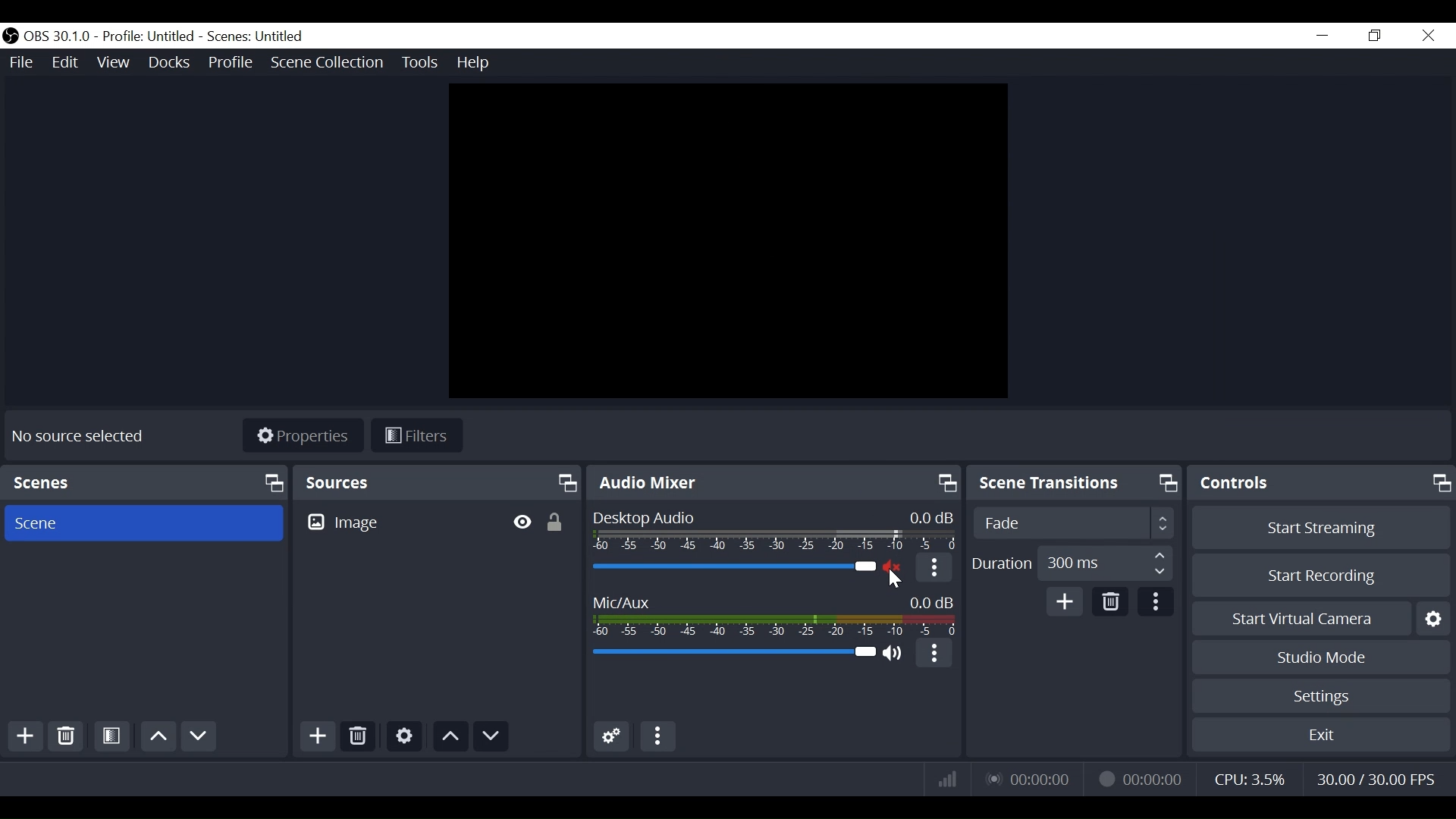 The image size is (1456, 819). What do you see at coordinates (475, 63) in the screenshot?
I see `Help` at bounding box center [475, 63].